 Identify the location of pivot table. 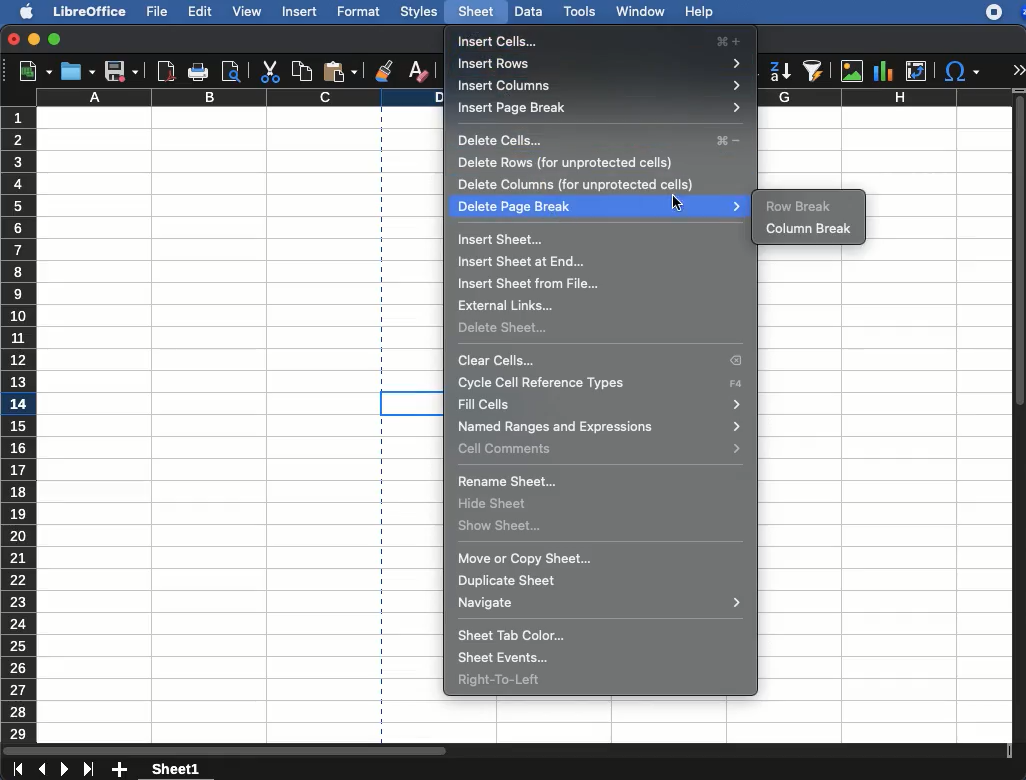
(919, 69).